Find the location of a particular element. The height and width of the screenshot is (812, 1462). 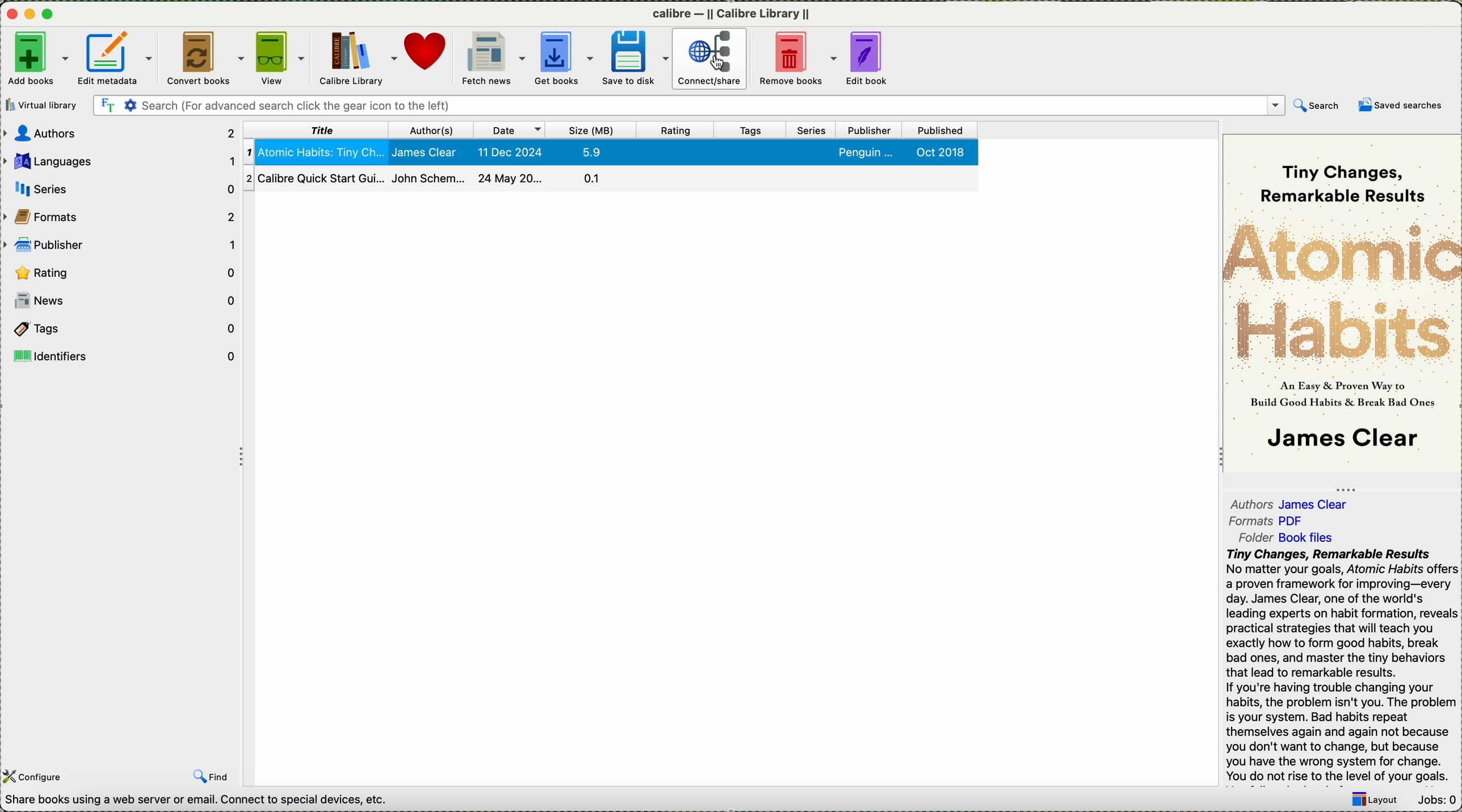

configure is located at coordinates (35, 777).